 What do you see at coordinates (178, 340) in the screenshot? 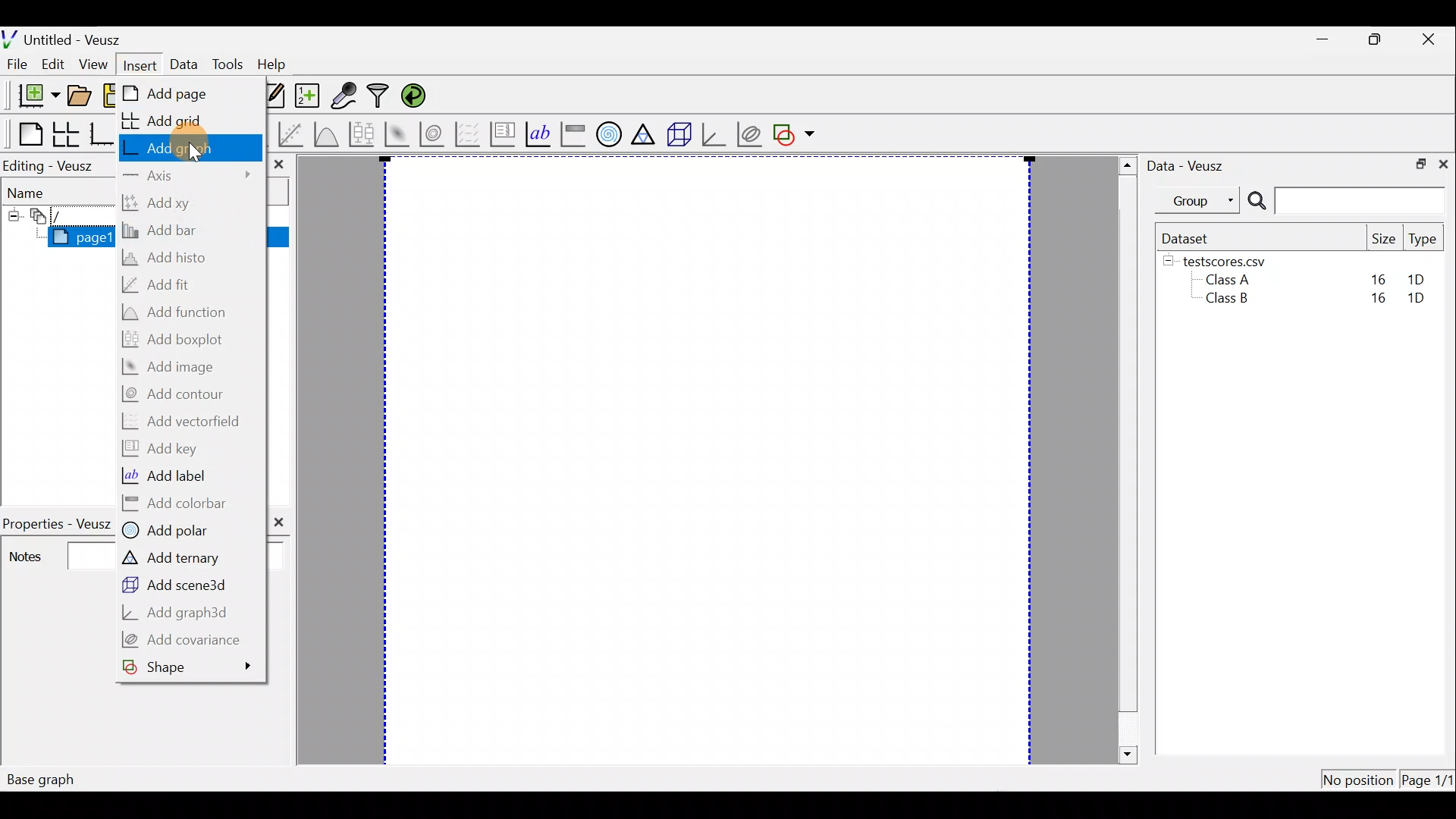
I see `Add boxplot` at bounding box center [178, 340].